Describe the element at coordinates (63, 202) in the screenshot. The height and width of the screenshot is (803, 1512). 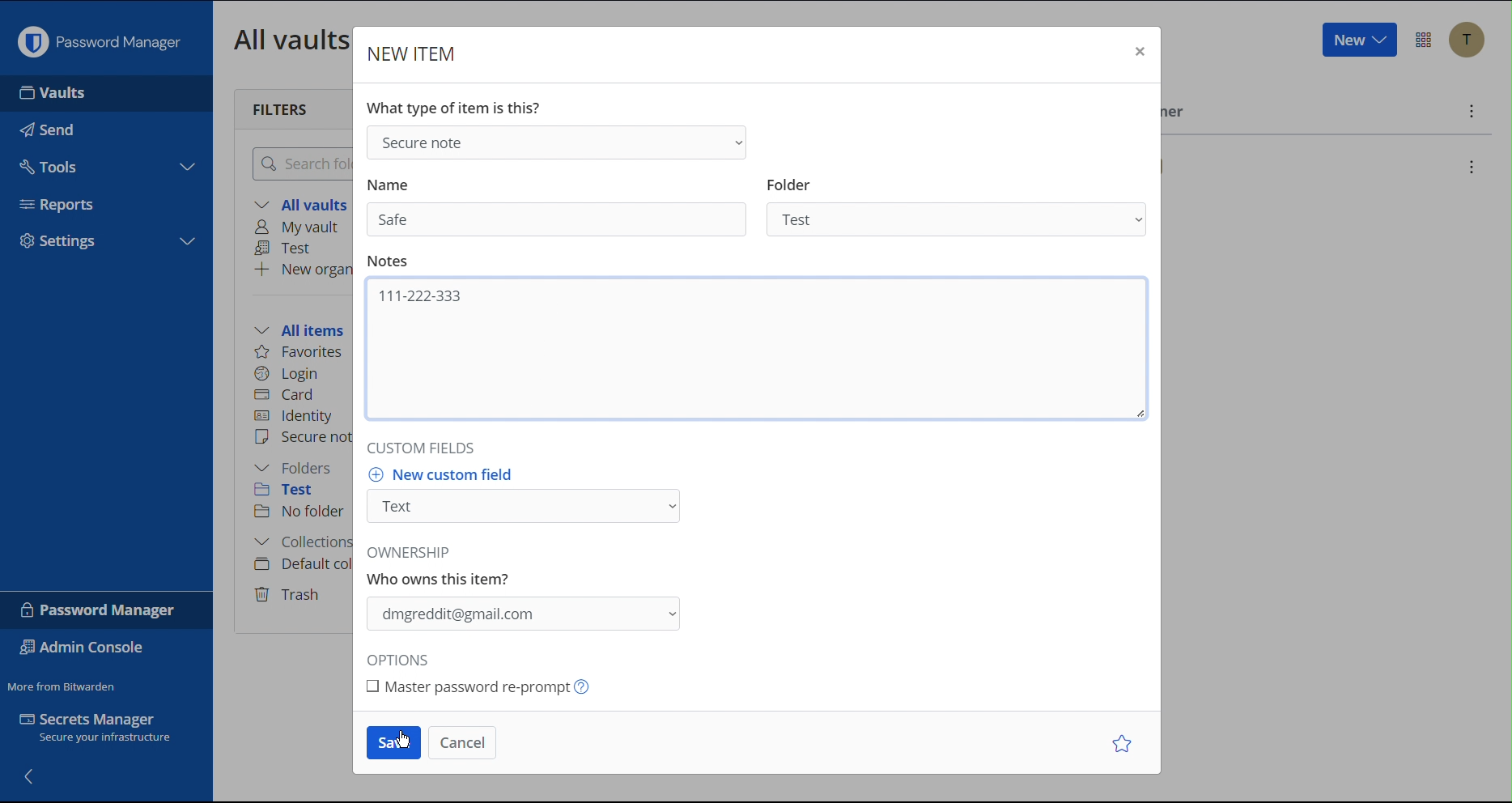
I see `Reports` at that location.